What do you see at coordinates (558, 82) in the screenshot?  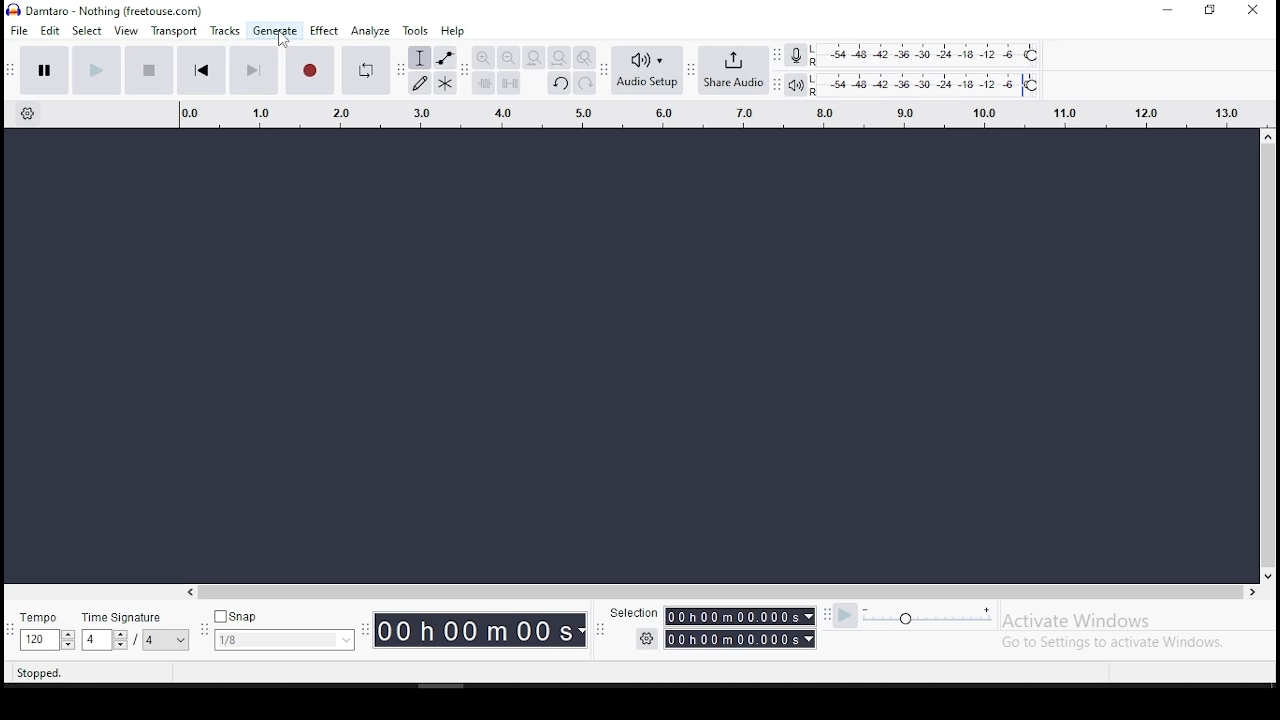 I see `undo` at bounding box center [558, 82].